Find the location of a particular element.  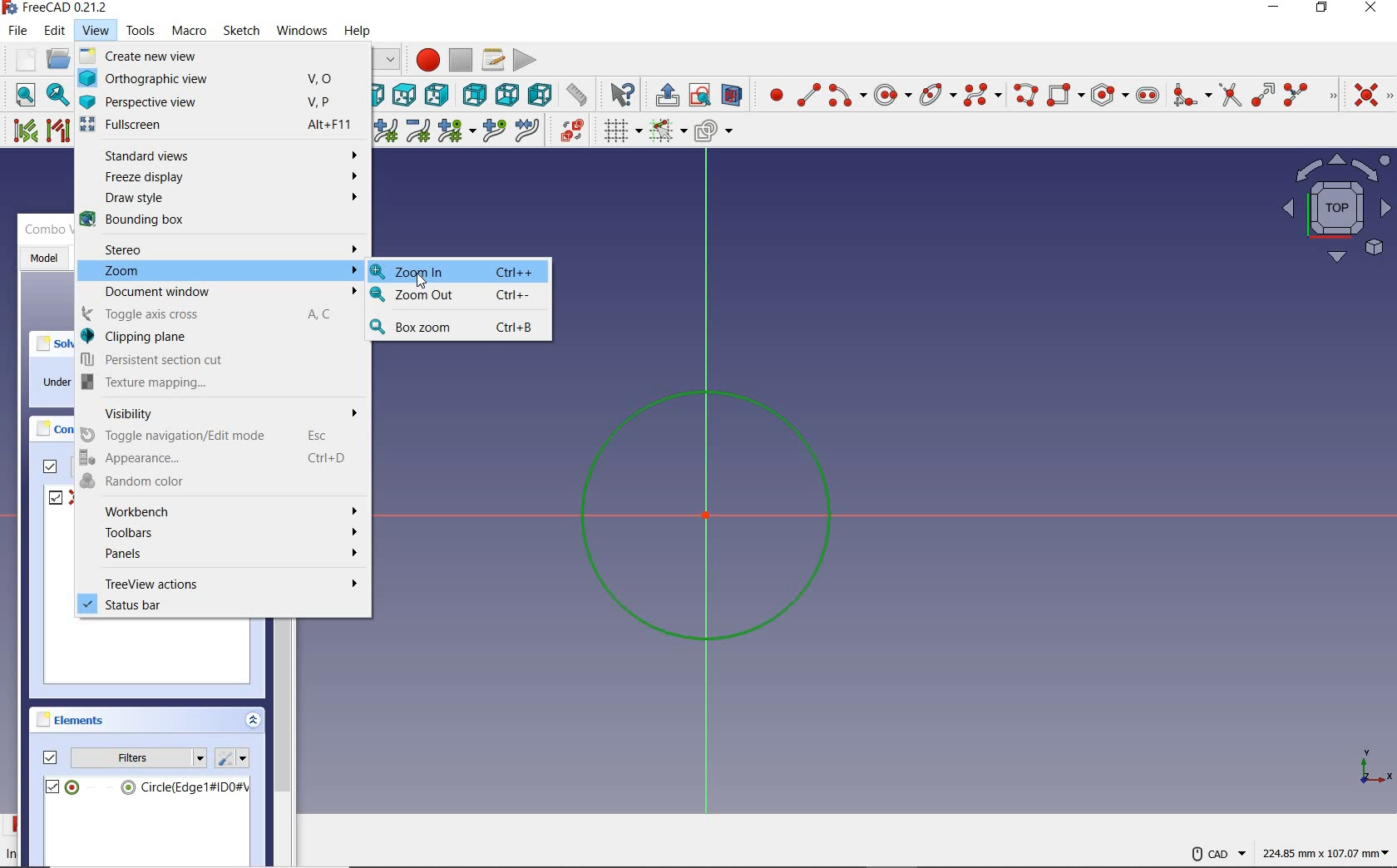

sketch is located at coordinates (243, 31).